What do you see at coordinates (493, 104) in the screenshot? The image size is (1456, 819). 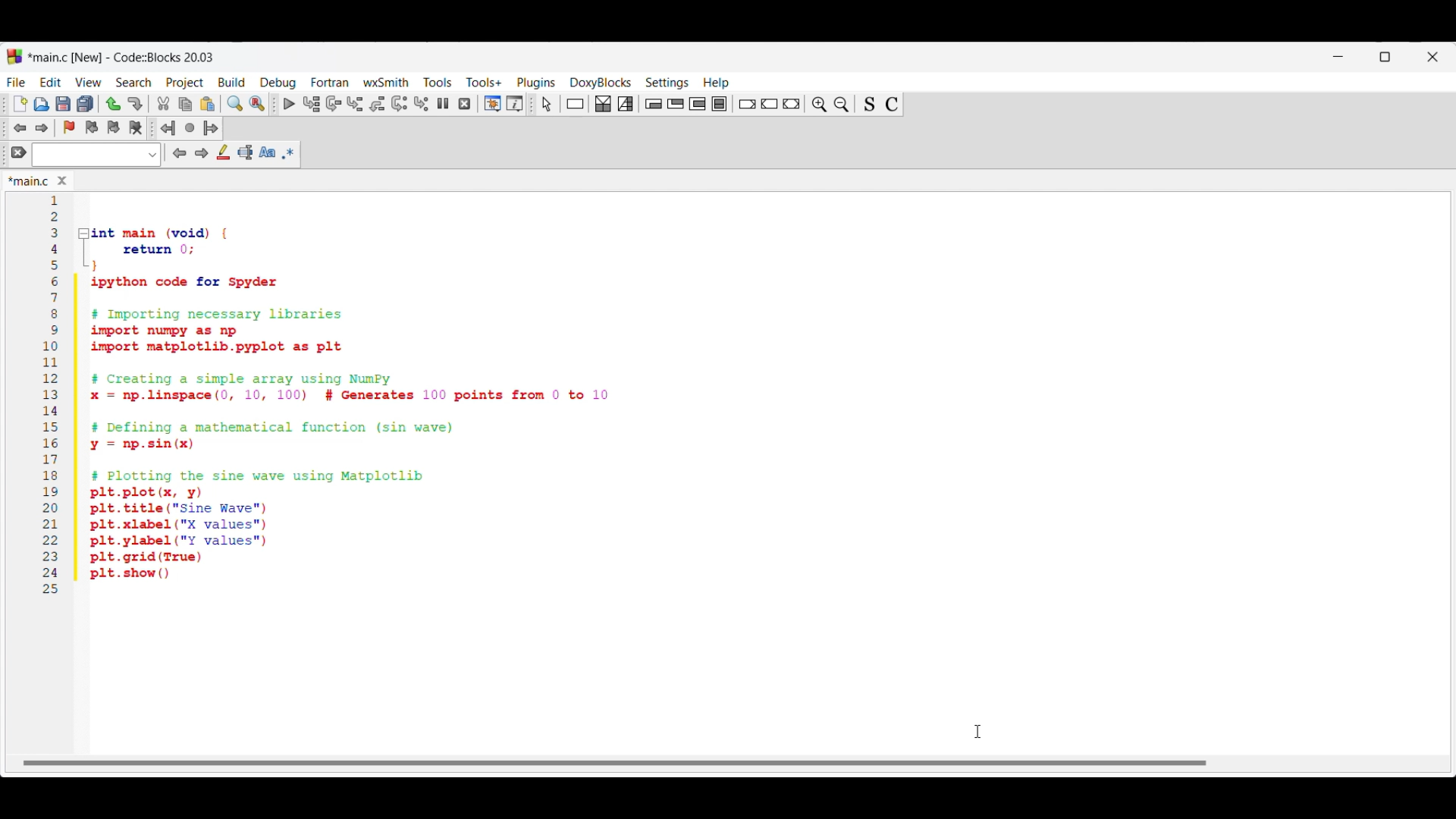 I see `Debugging windows` at bounding box center [493, 104].